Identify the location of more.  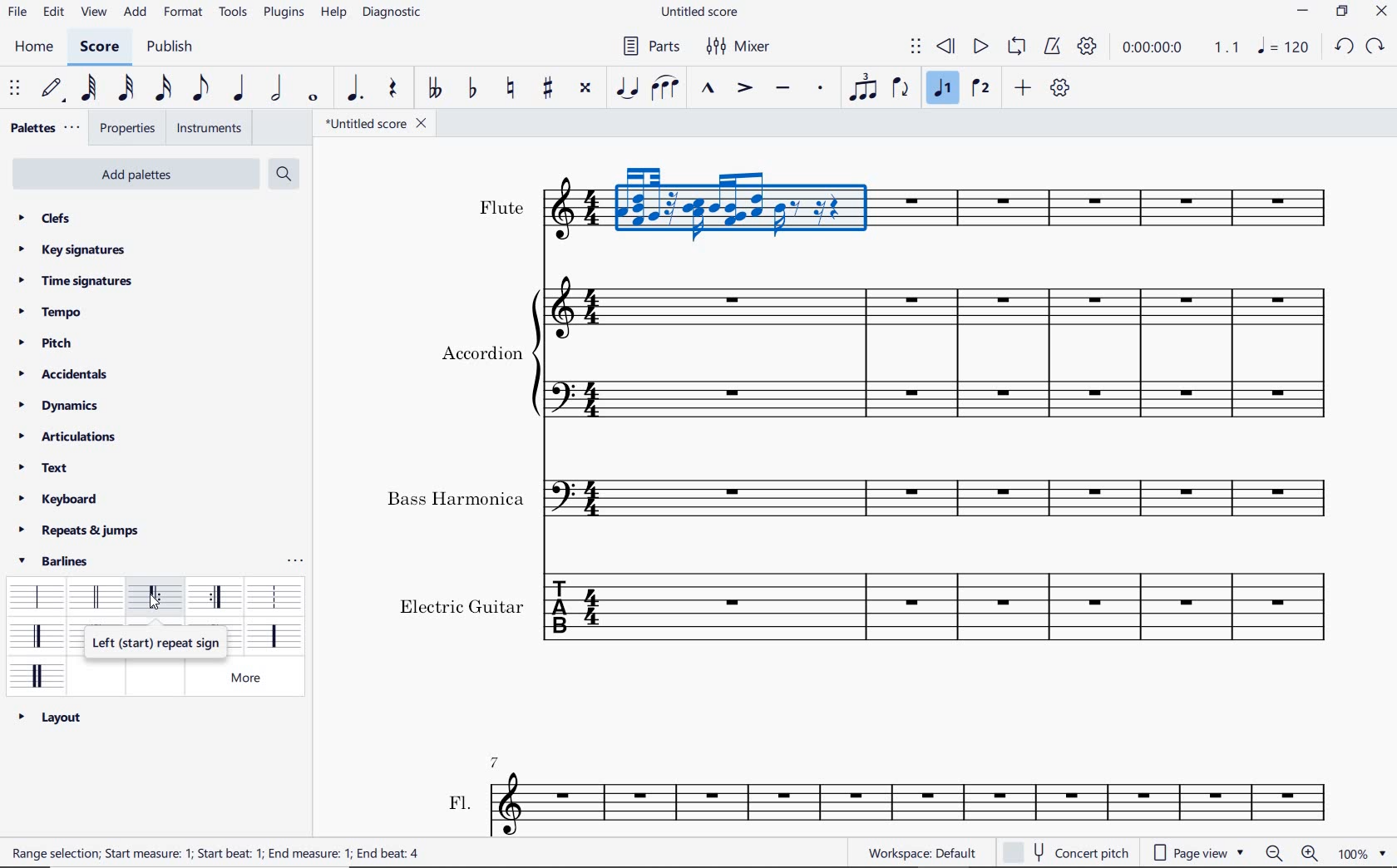
(254, 678).